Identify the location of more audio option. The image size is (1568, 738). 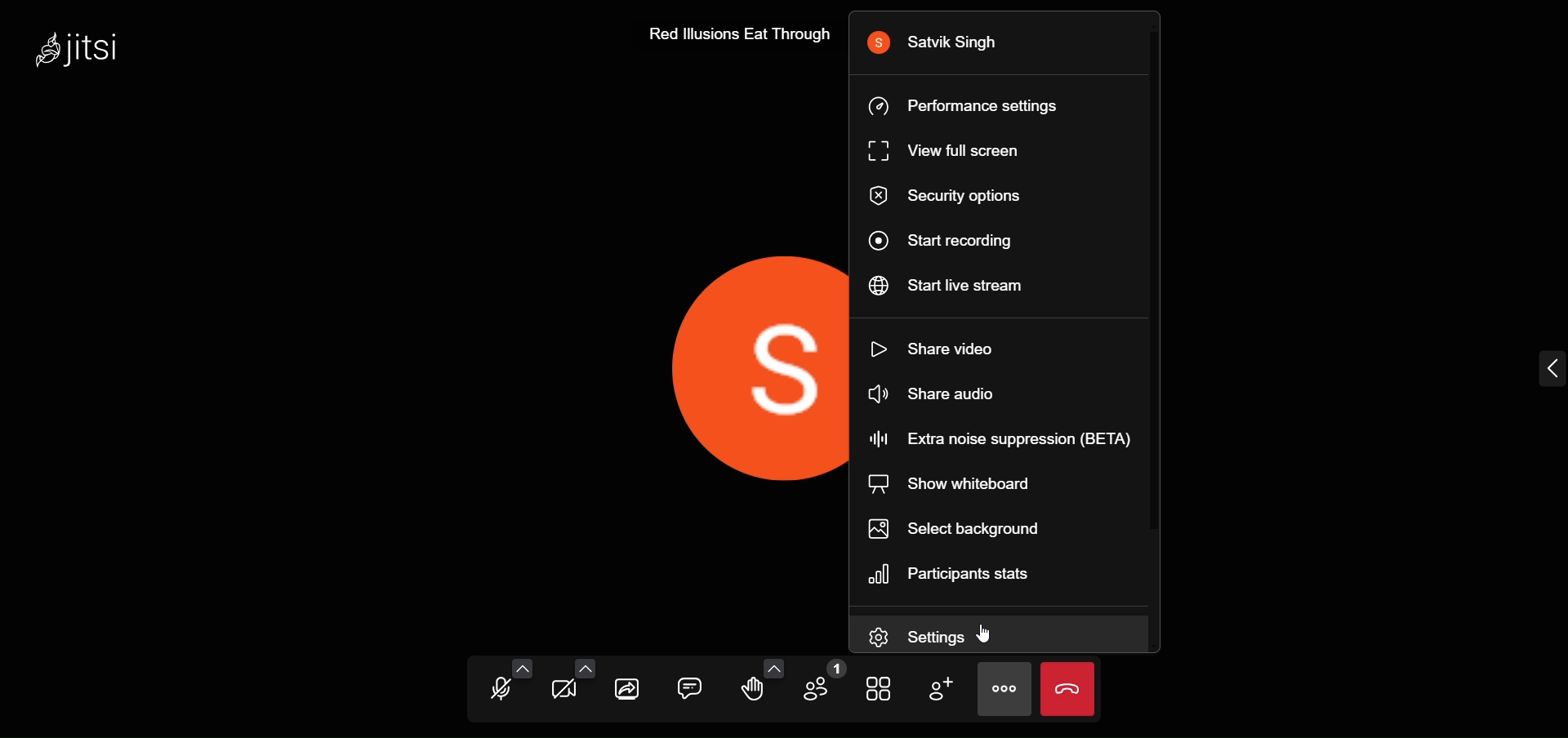
(525, 669).